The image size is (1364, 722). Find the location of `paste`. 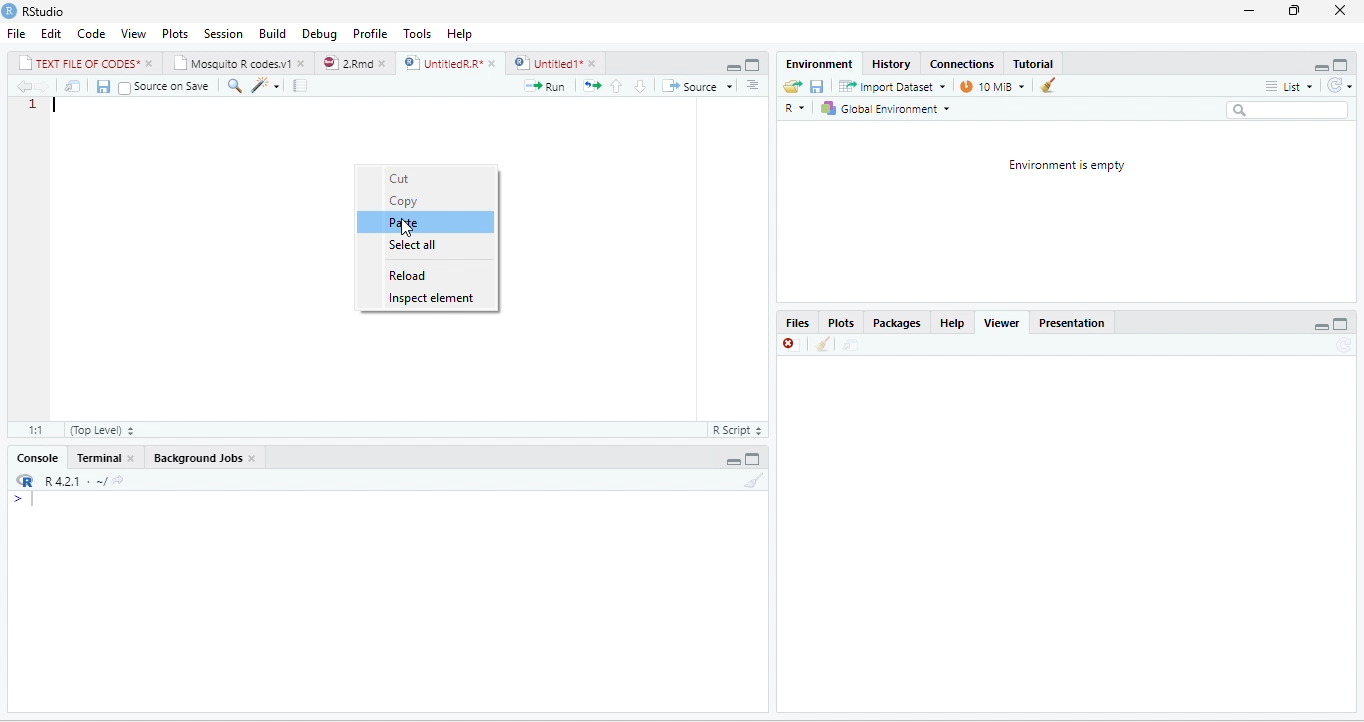

paste is located at coordinates (404, 223).